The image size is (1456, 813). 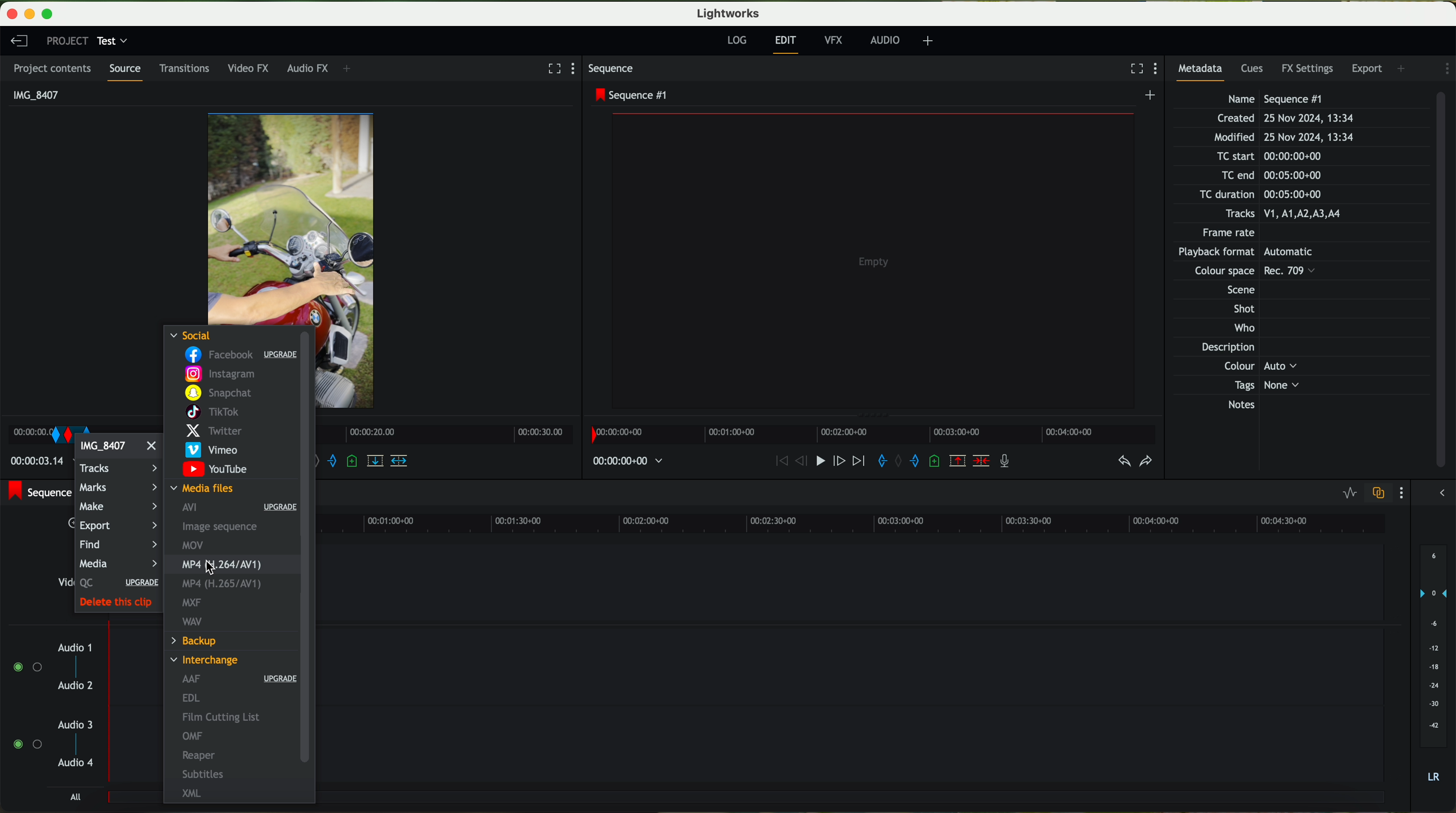 I want to click on reaper, so click(x=201, y=755).